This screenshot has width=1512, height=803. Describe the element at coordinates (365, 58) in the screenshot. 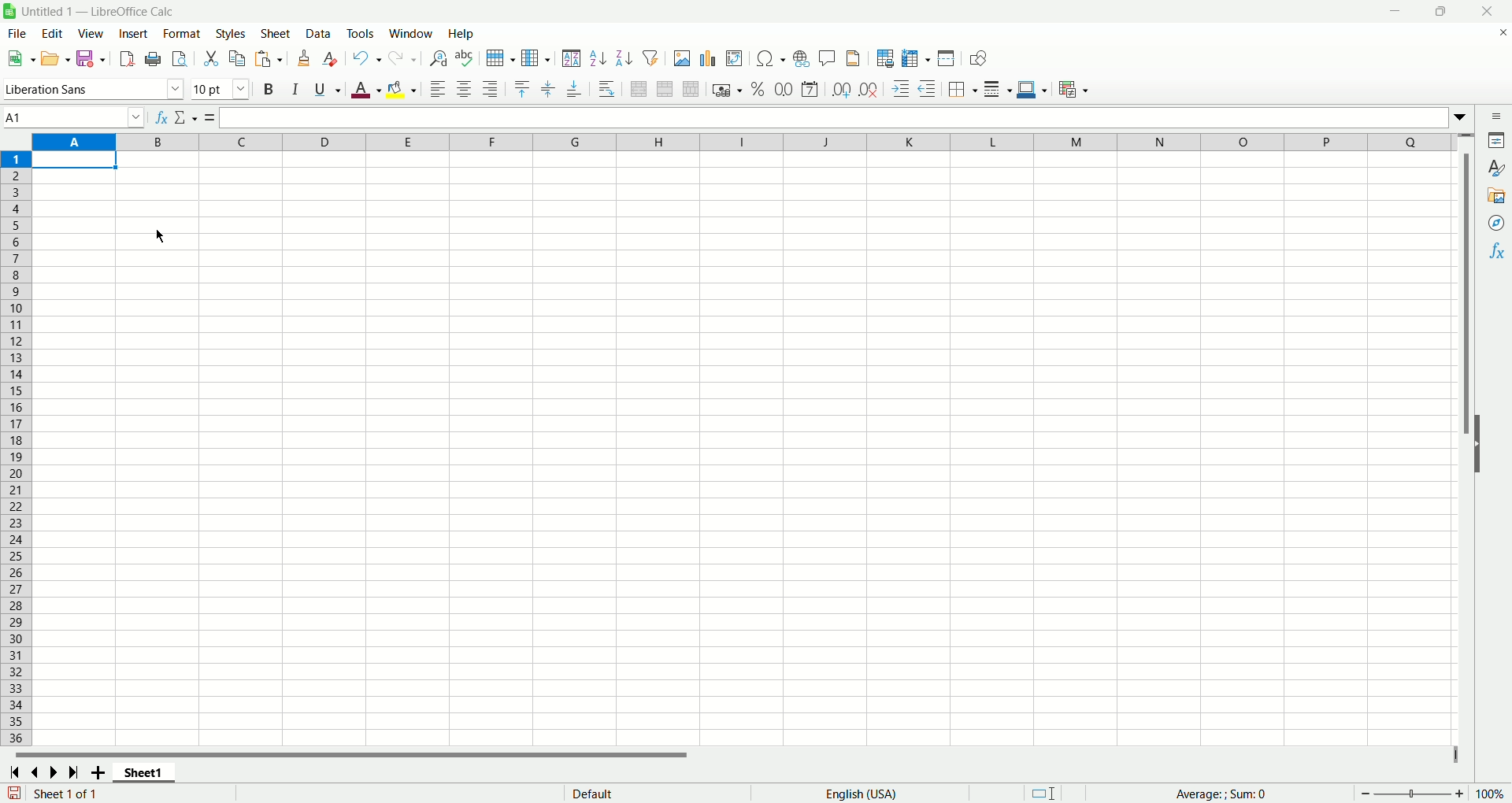

I see `undo` at that location.